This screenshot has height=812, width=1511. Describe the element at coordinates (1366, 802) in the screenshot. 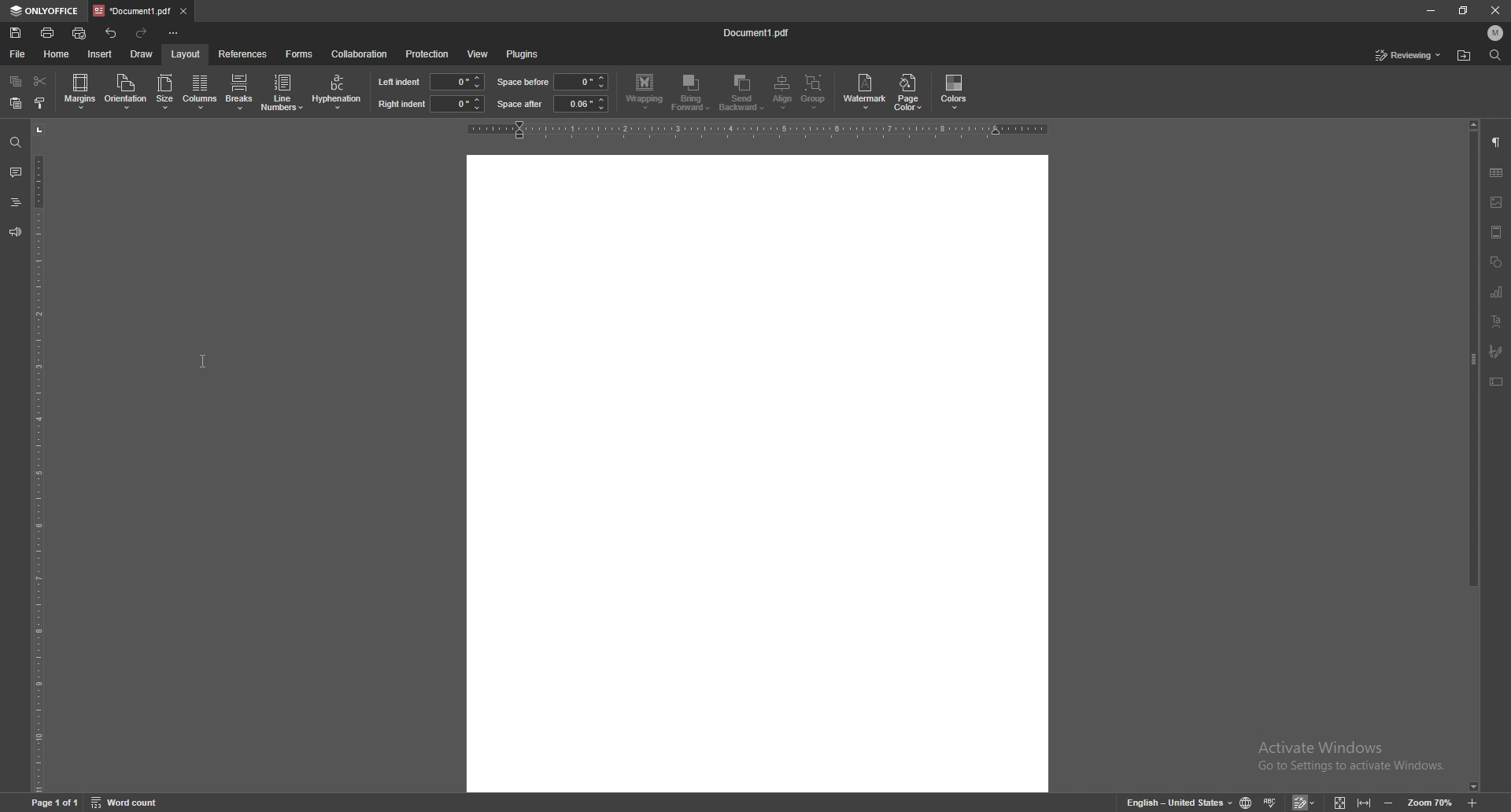

I see `fit to width` at that location.